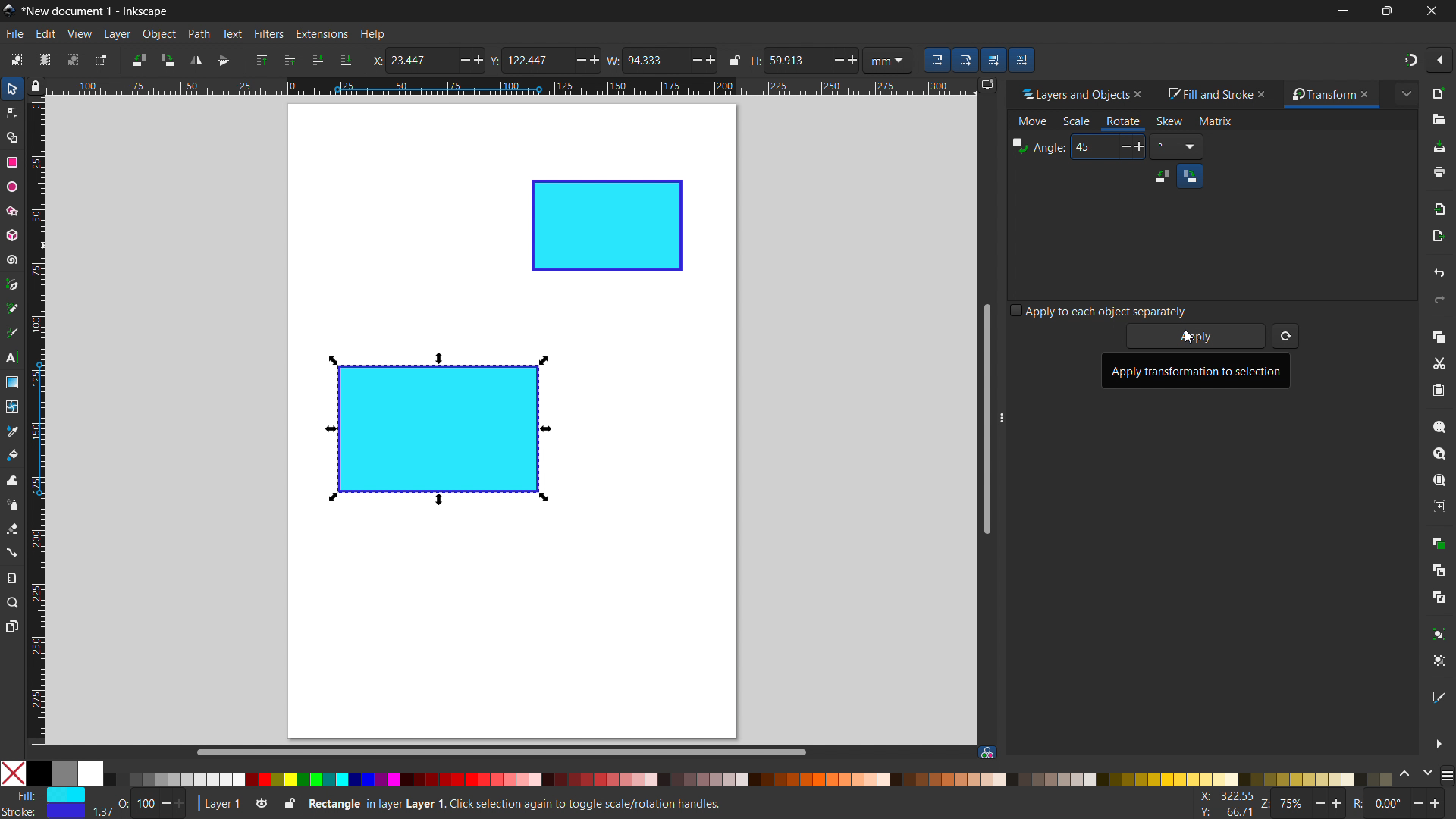 The image size is (1456, 819). Describe the element at coordinates (36, 424) in the screenshot. I see `vertical ruler` at that location.